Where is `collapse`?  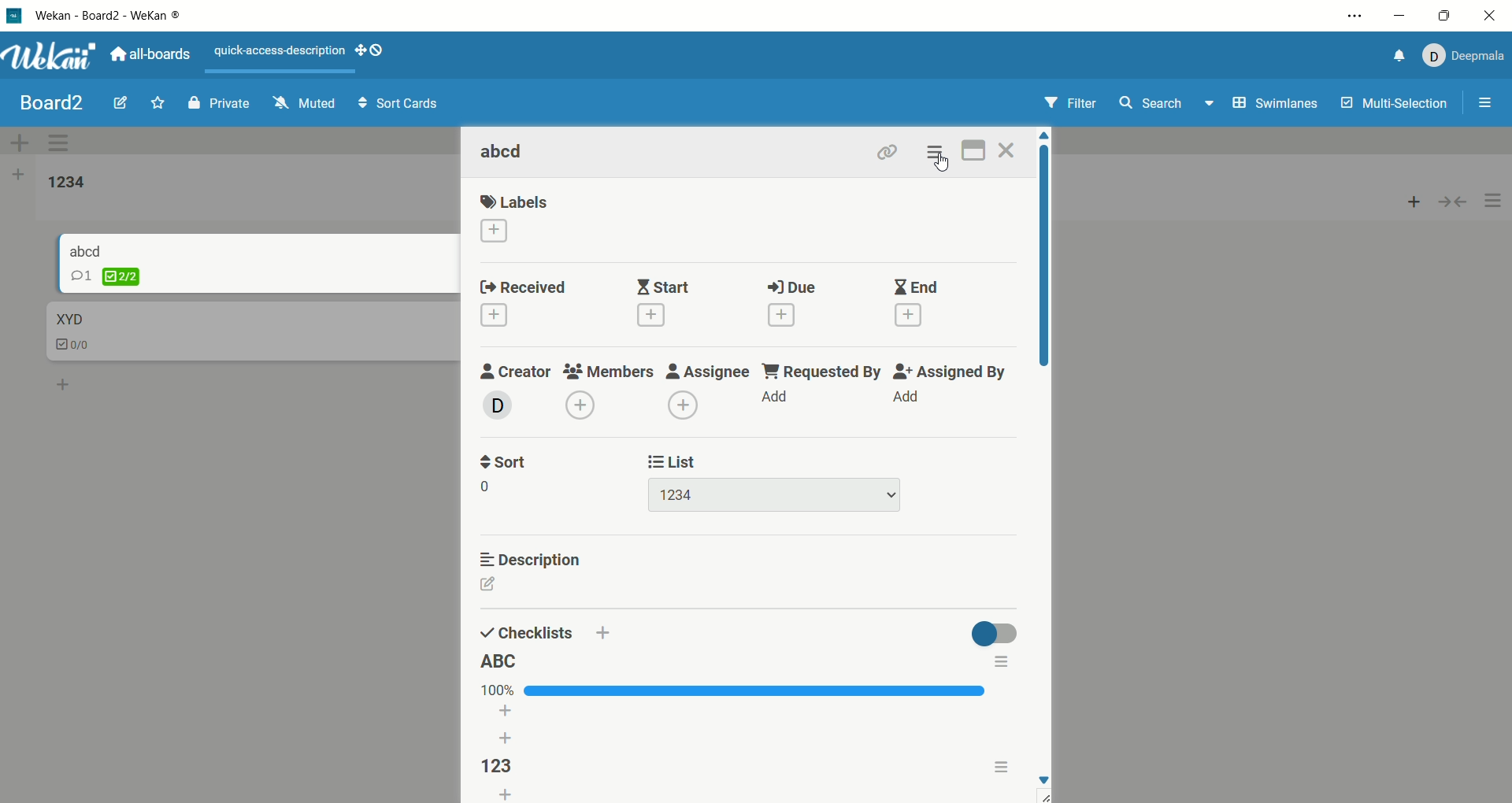
collapse is located at coordinates (1454, 203).